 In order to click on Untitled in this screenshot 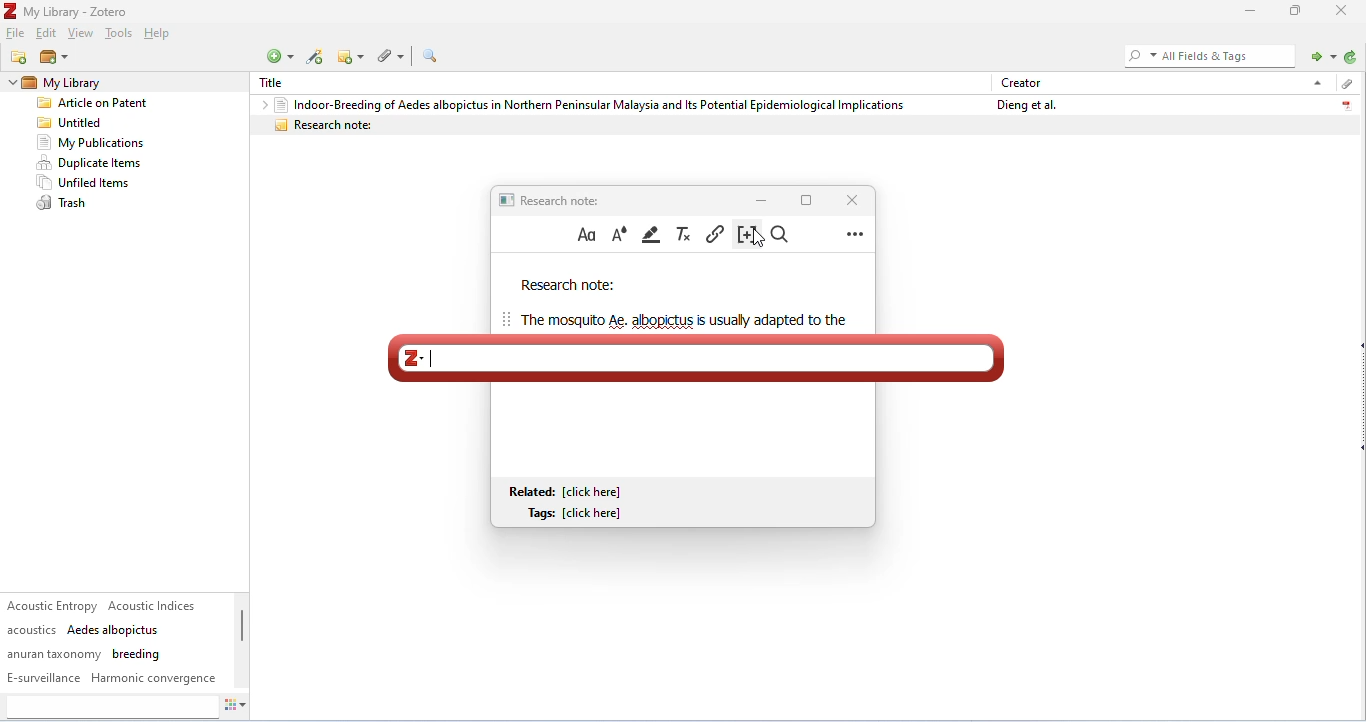, I will do `click(74, 123)`.